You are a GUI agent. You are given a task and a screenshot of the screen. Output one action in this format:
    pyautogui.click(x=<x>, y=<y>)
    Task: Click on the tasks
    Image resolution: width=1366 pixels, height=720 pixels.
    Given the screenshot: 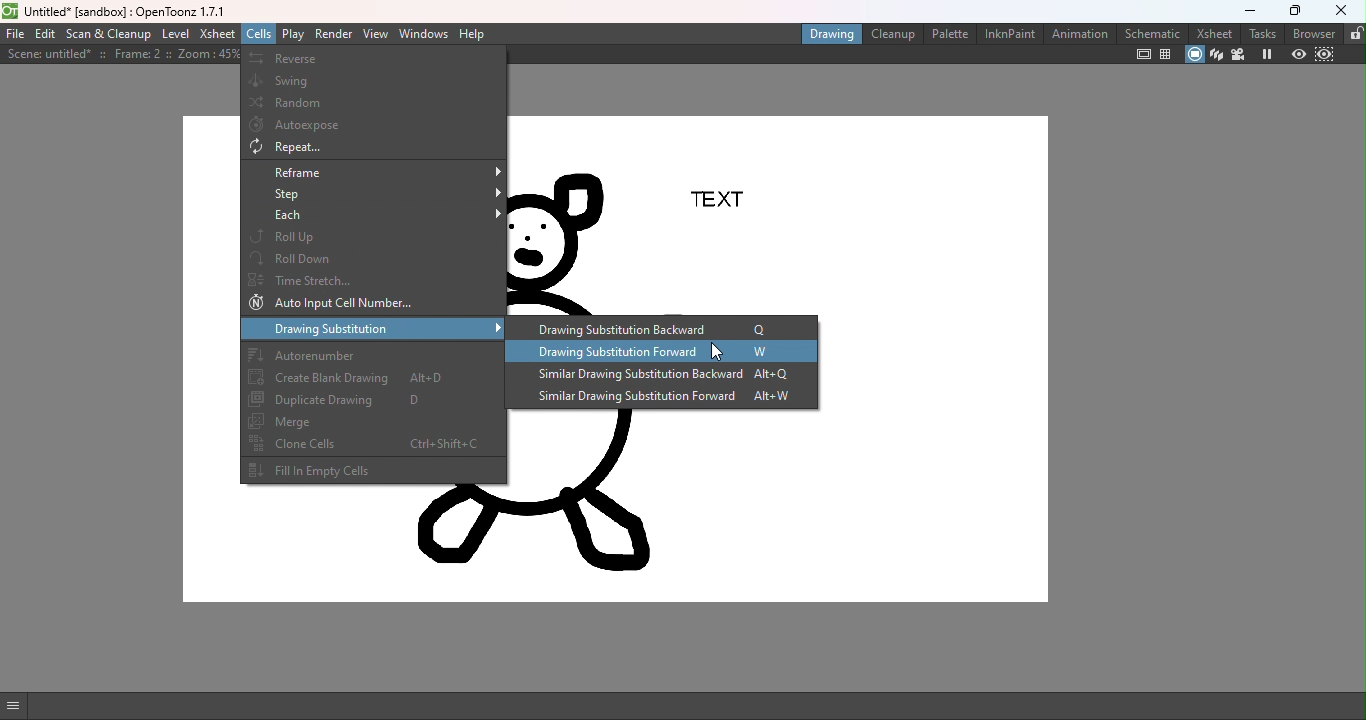 What is the action you would take?
    pyautogui.click(x=1260, y=33)
    